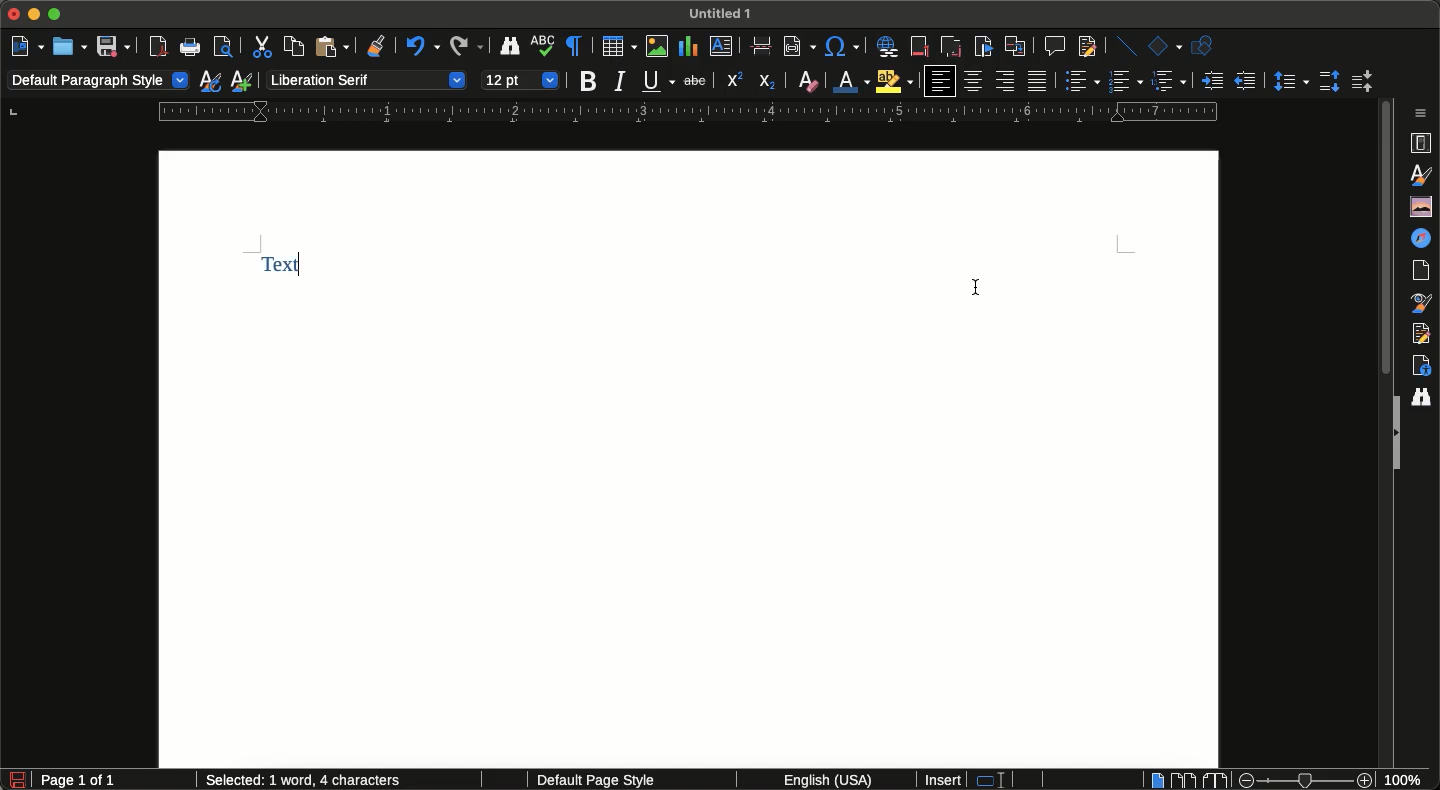 The width and height of the screenshot is (1440, 790). What do you see at coordinates (1425, 271) in the screenshot?
I see `Page` at bounding box center [1425, 271].